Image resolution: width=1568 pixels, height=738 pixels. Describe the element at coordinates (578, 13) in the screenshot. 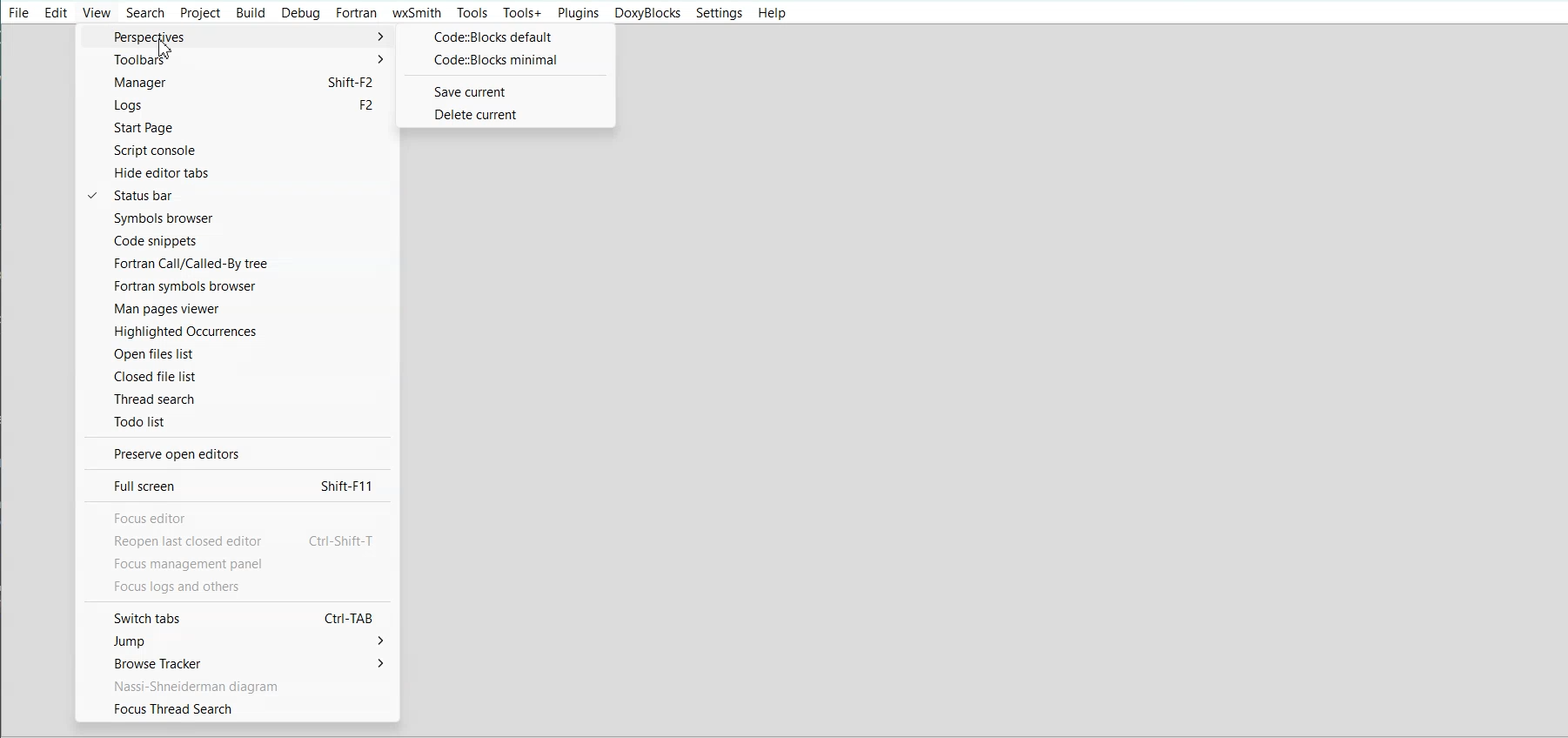

I see `Plugins` at that location.